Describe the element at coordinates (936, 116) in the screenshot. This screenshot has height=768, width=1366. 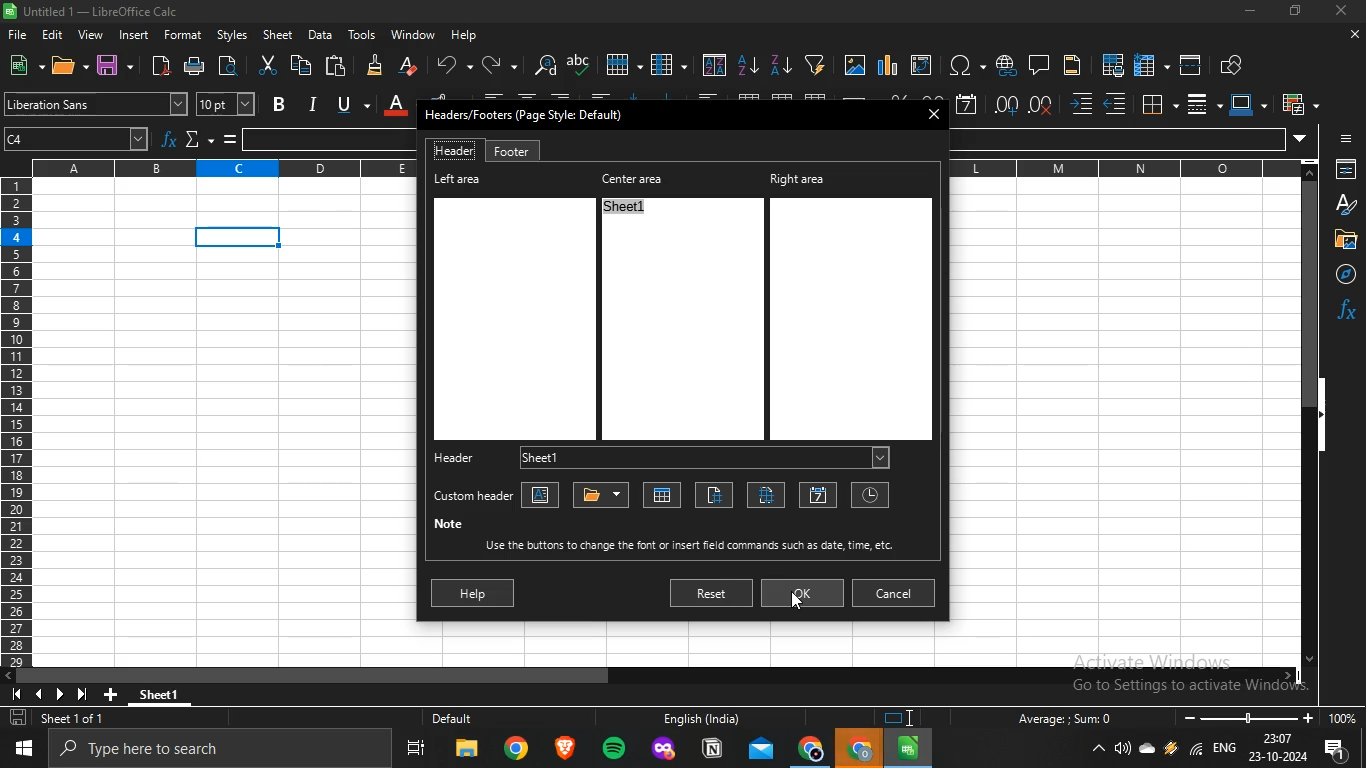
I see `close` at that location.